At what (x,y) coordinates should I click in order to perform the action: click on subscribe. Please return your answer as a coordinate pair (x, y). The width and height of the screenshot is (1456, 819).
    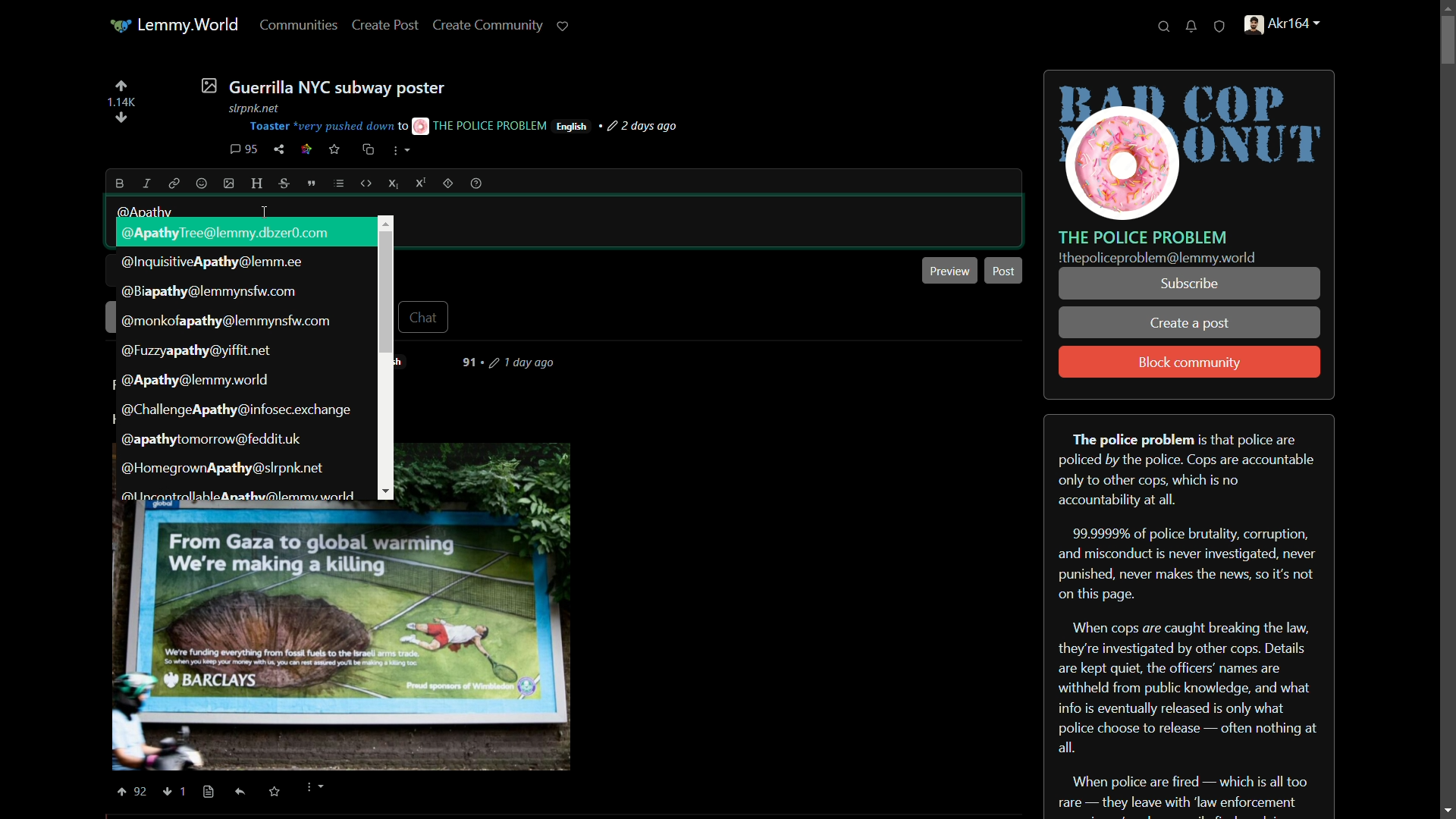
    Looking at the image, I should click on (1188, 284).